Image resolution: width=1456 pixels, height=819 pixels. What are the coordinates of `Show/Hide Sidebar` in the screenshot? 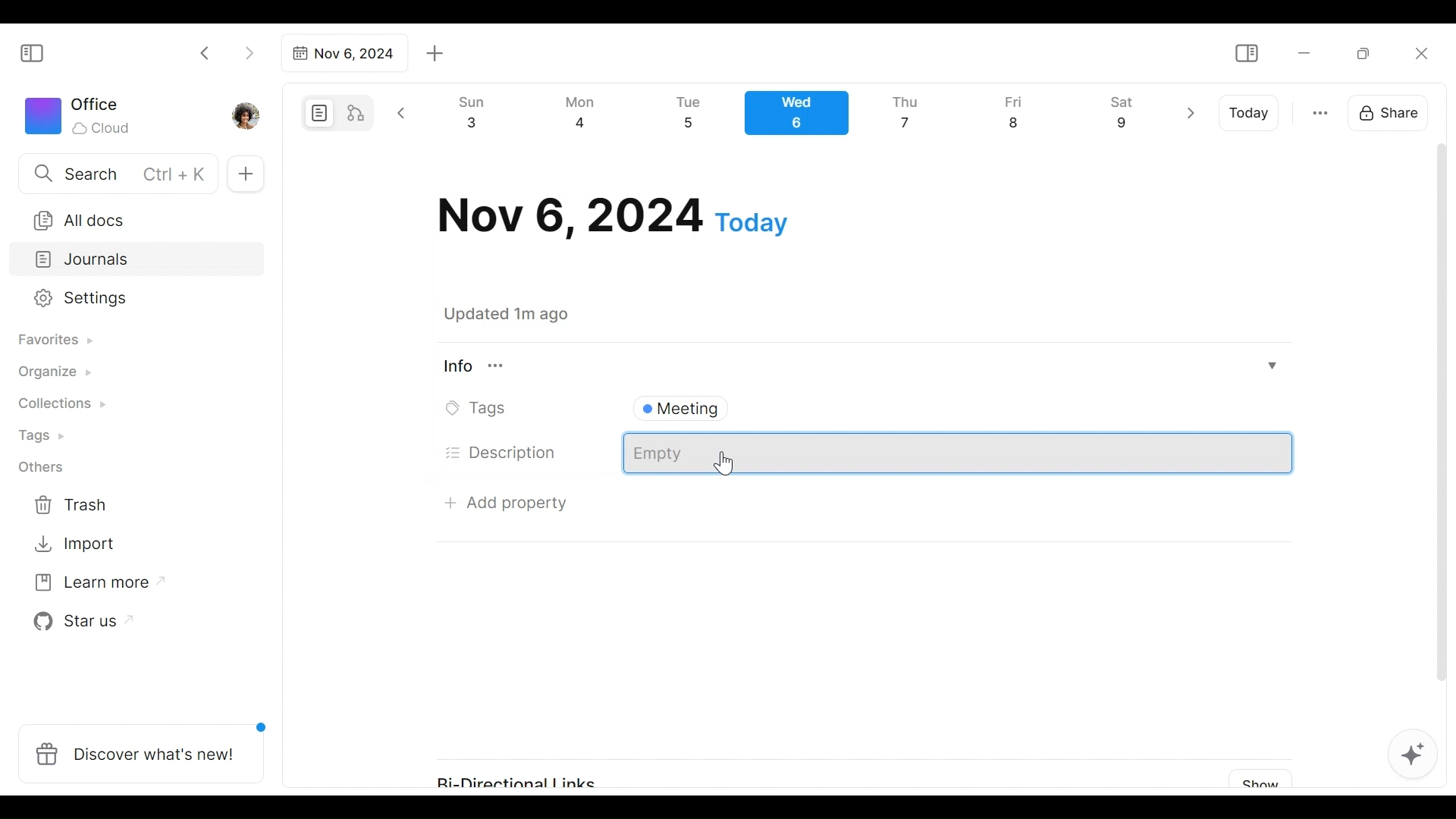 It's located at (39, 52).